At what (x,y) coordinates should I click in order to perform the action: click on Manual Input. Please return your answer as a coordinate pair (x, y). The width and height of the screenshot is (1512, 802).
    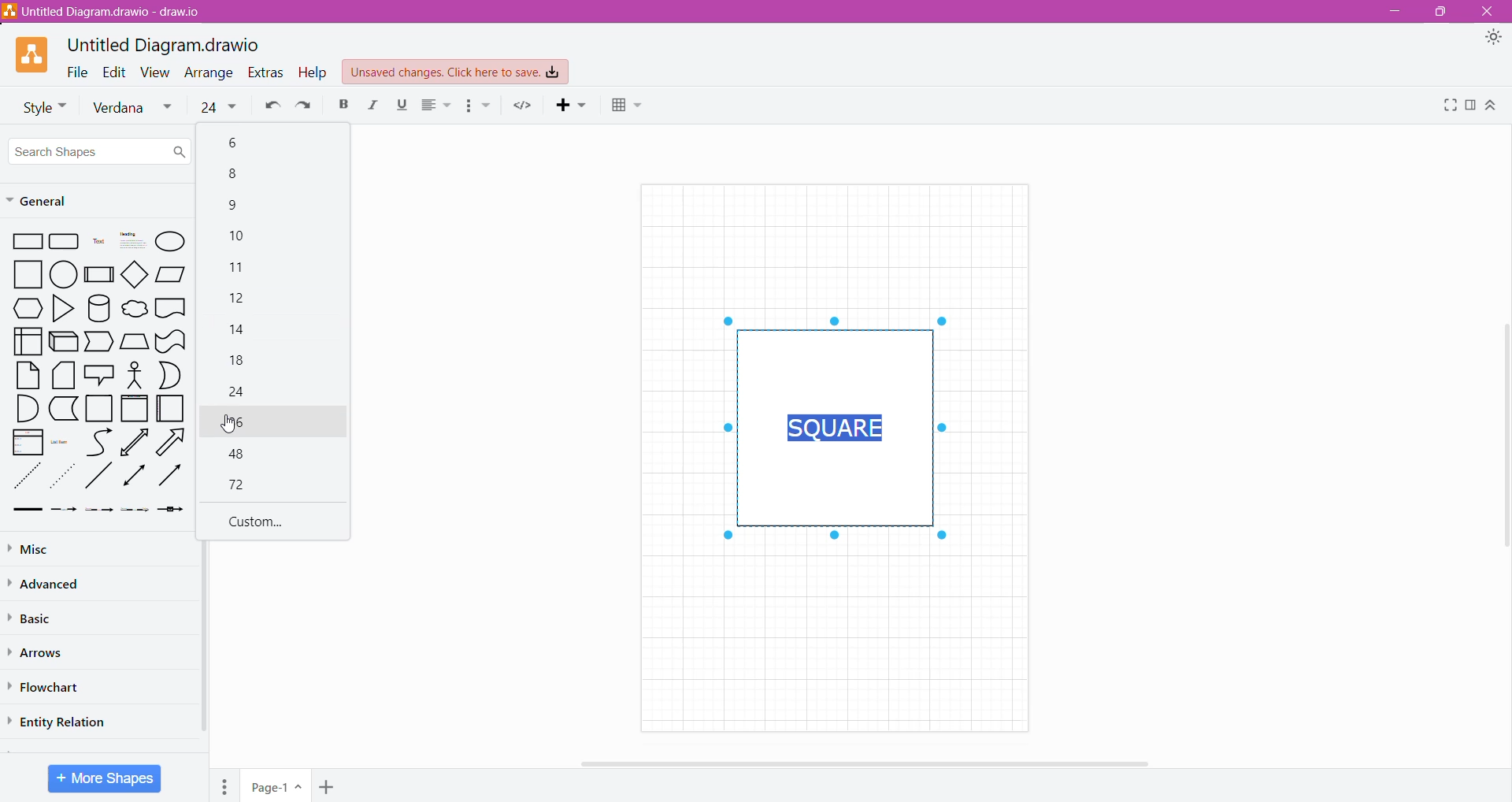
    Looking at the image, I should click on (135, 340).